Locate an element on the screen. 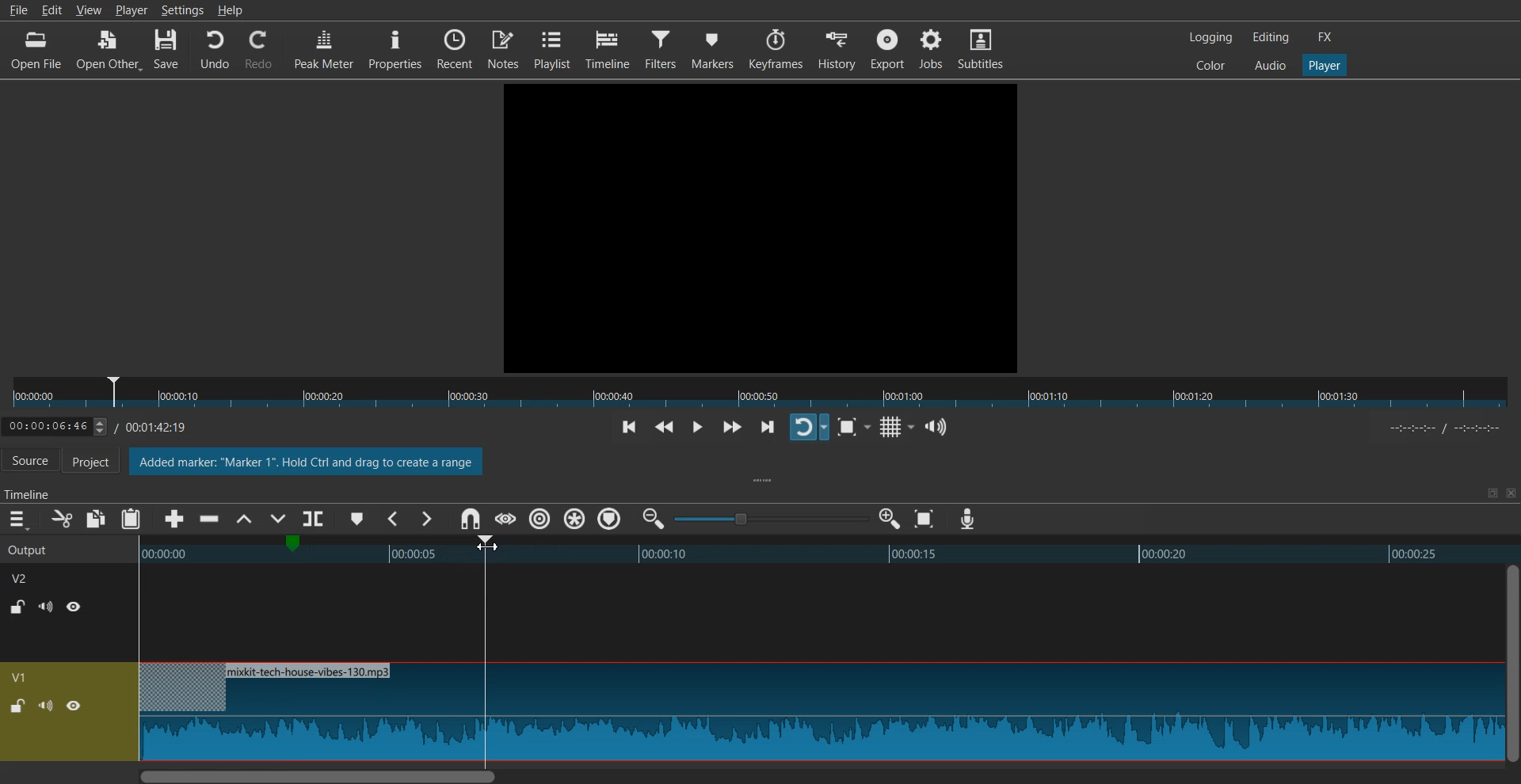 The width and height of the screenshot is (1521, 784). Ripple Tracks is located at coordinates (611, 519).